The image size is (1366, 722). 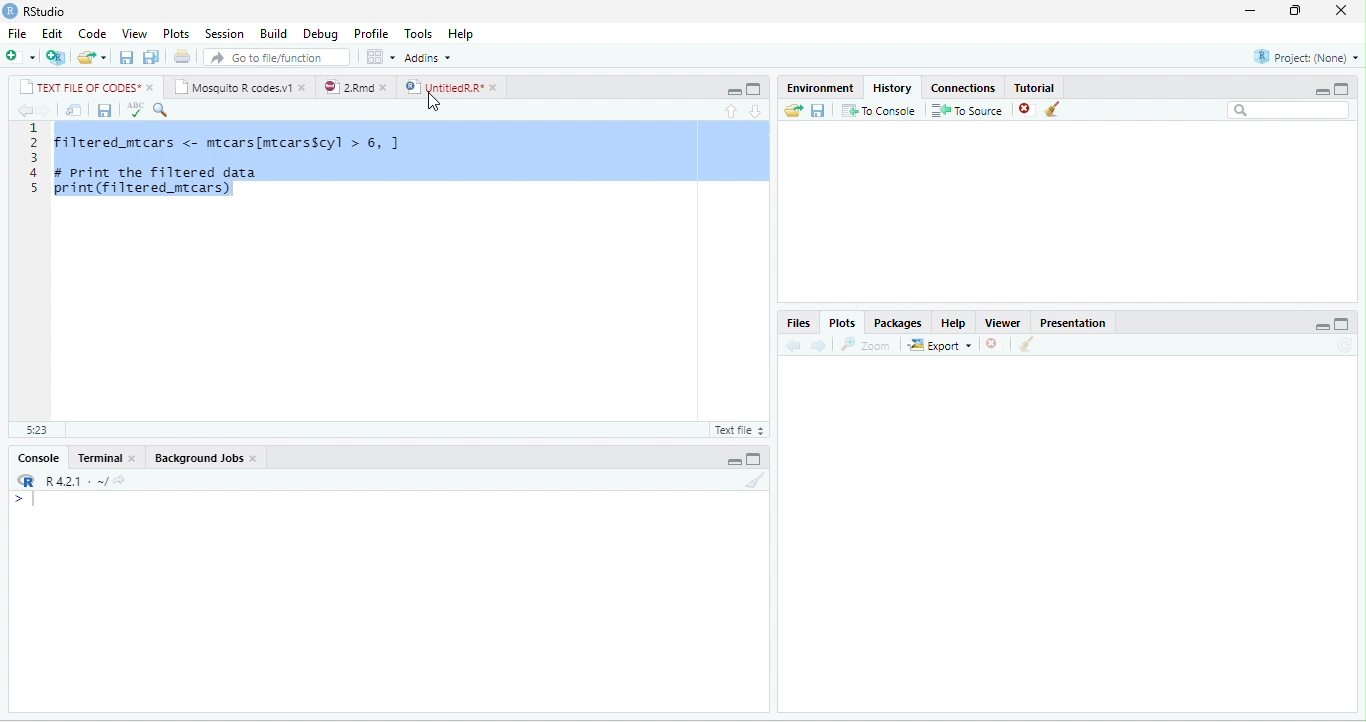 What do you see at coordinates (136, 108) in the screenshot?
I see `ABC` at bounding box center [136, 108].